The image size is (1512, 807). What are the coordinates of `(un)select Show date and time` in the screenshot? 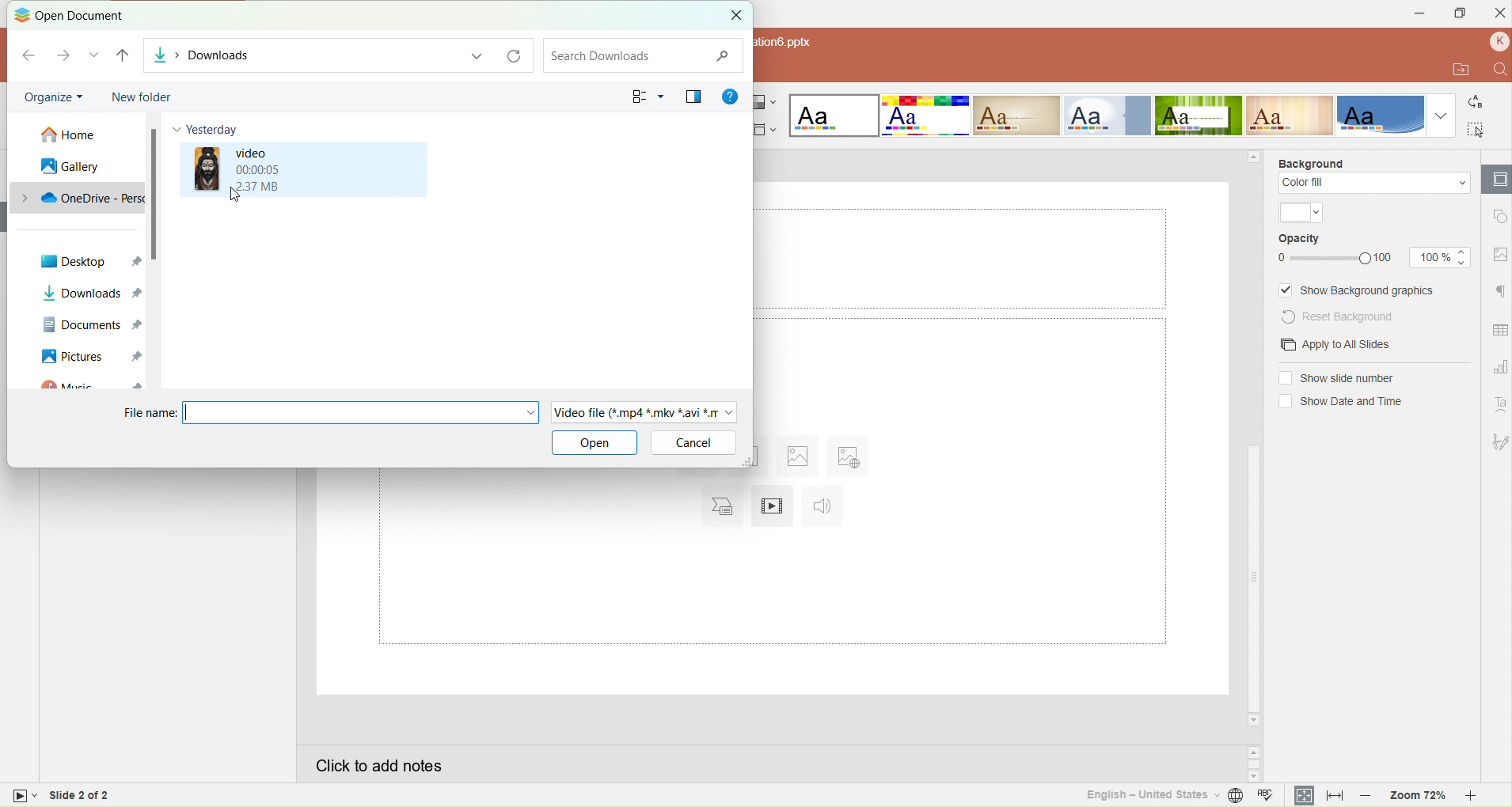 It's located at (1339, 404).